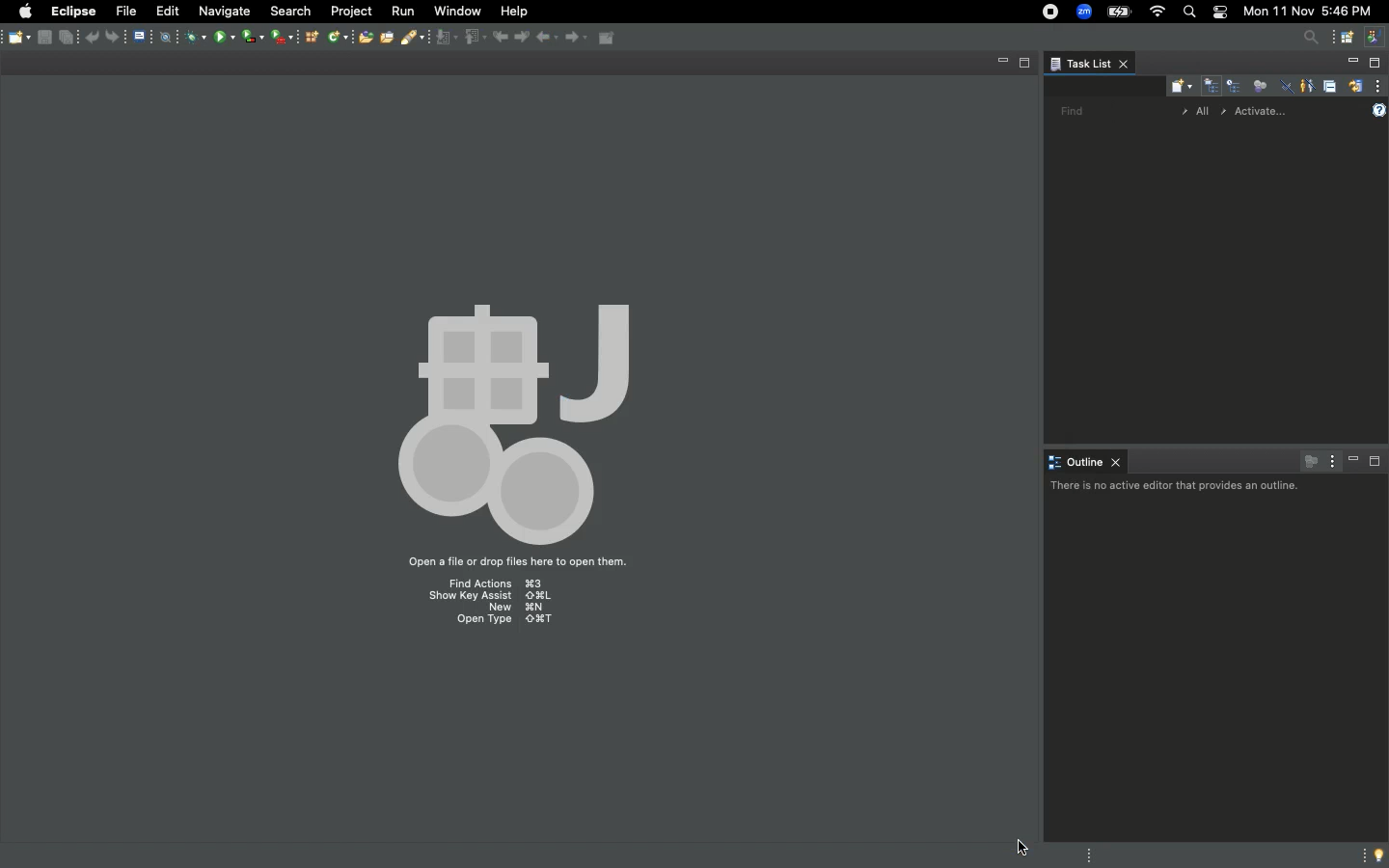 The width and height of the screenshot is (1389, 868). What do you see at coordinates (1376, 463) in the screenshot?
I see `Maximize` at bounding box center [1376, 463].